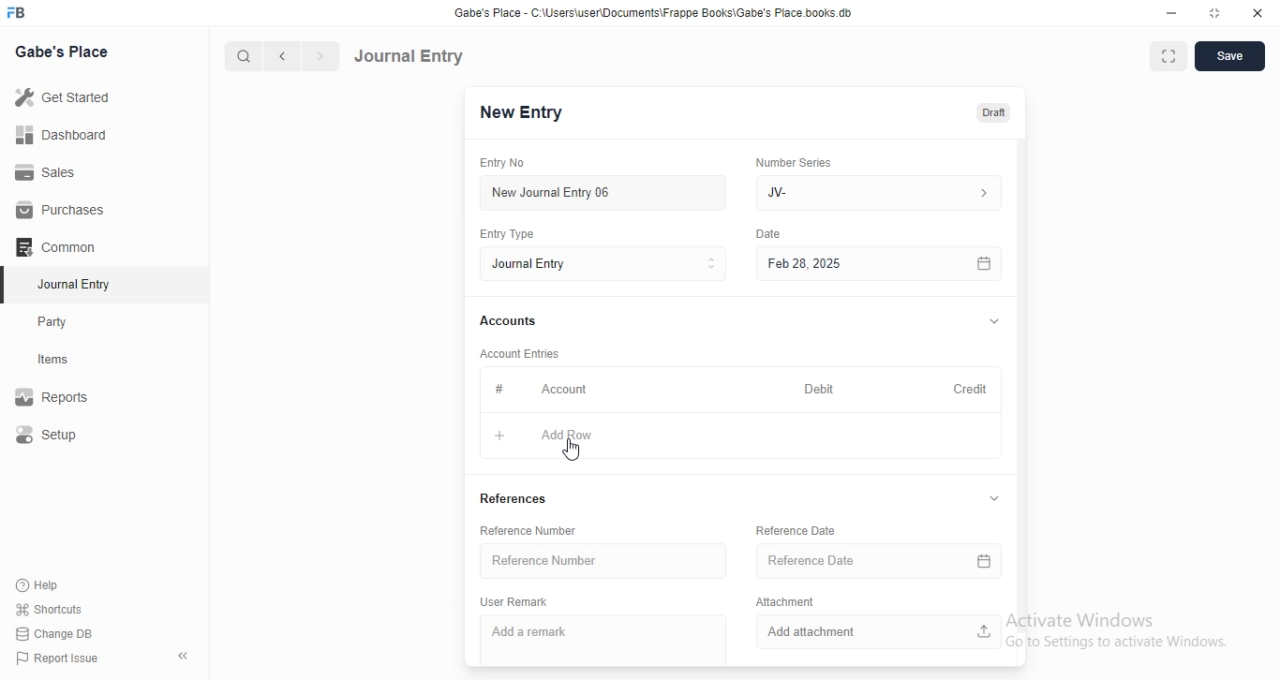 The height and width of the screenshot is (680, 1280). What do you see at coordinates (602, 264) in the screenshot?
I see `Entry Type` at bounding box center [602, 264].